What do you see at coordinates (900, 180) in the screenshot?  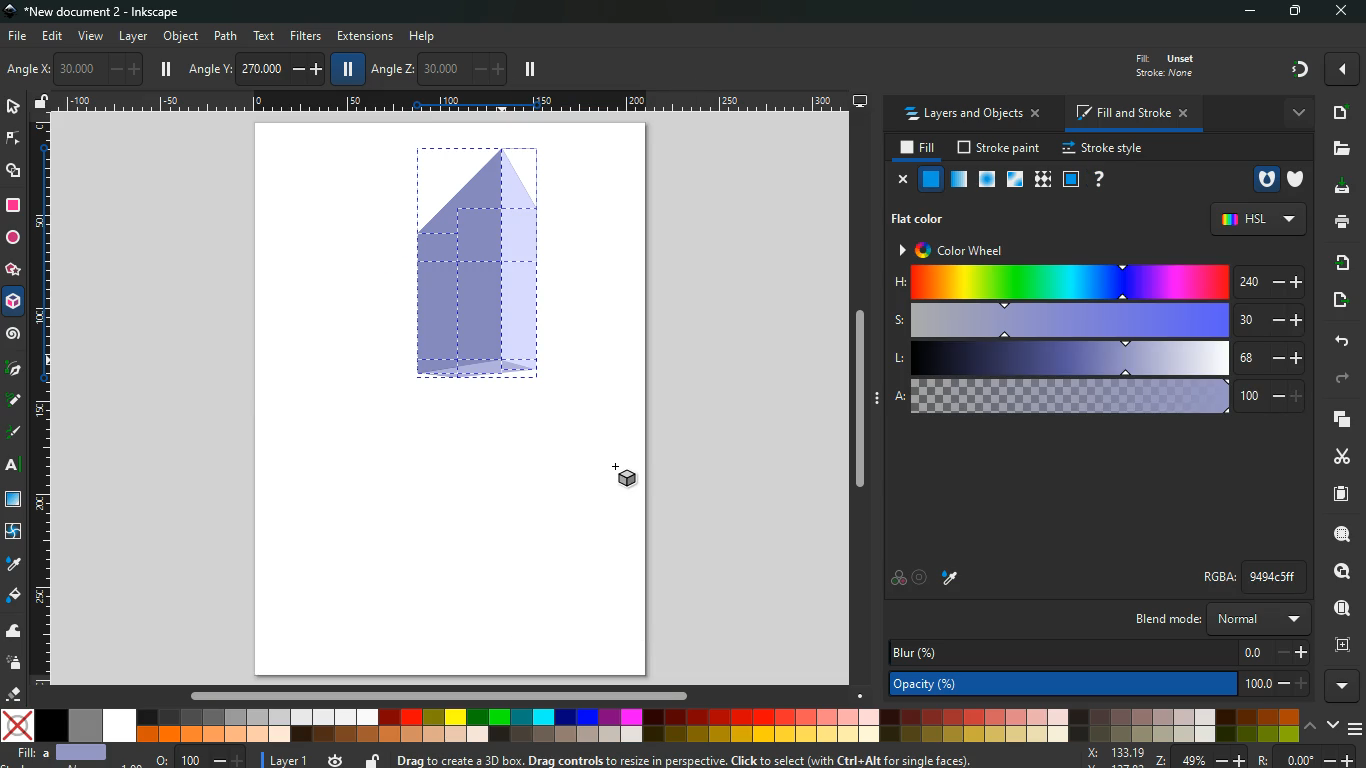 I see `cancel` at bounding box center [900, 180].